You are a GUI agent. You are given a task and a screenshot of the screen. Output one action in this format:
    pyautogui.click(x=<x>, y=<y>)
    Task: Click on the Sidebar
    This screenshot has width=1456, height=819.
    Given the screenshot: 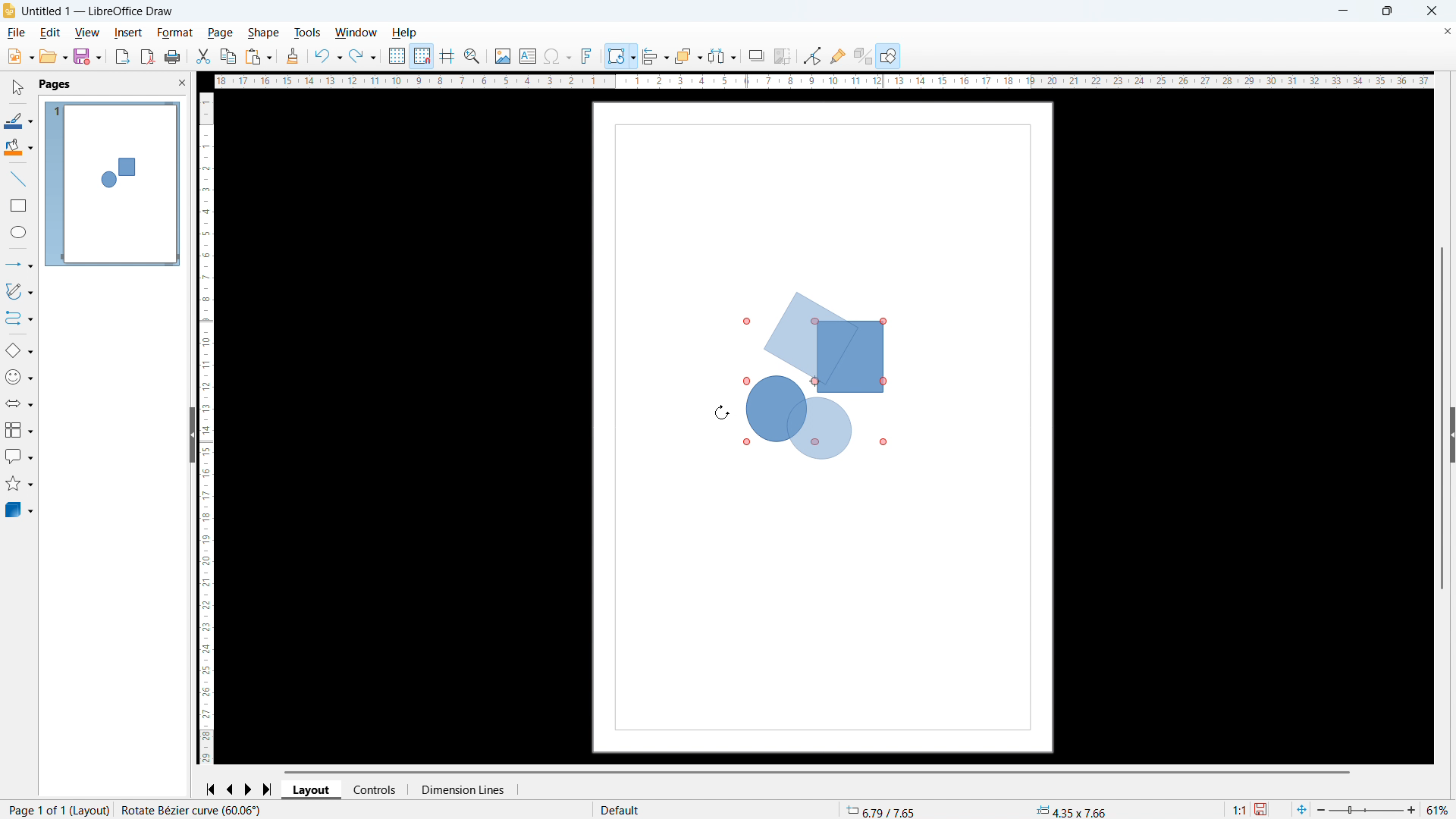 What is the action you would take?
    pyautogui.click(x=187, y=434)
    